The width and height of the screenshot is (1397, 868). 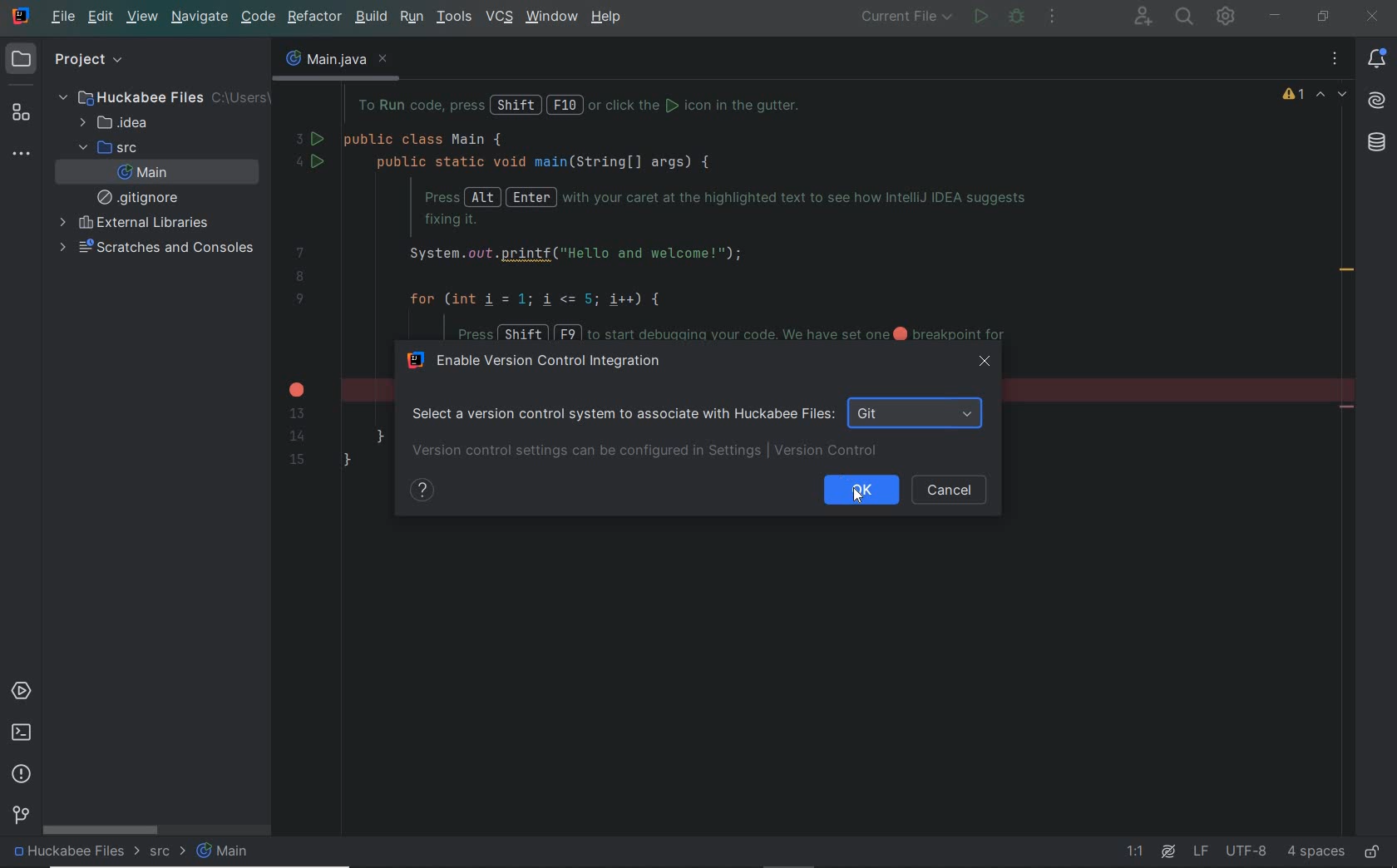 I want to click on problems, so click(x=22, y=772).